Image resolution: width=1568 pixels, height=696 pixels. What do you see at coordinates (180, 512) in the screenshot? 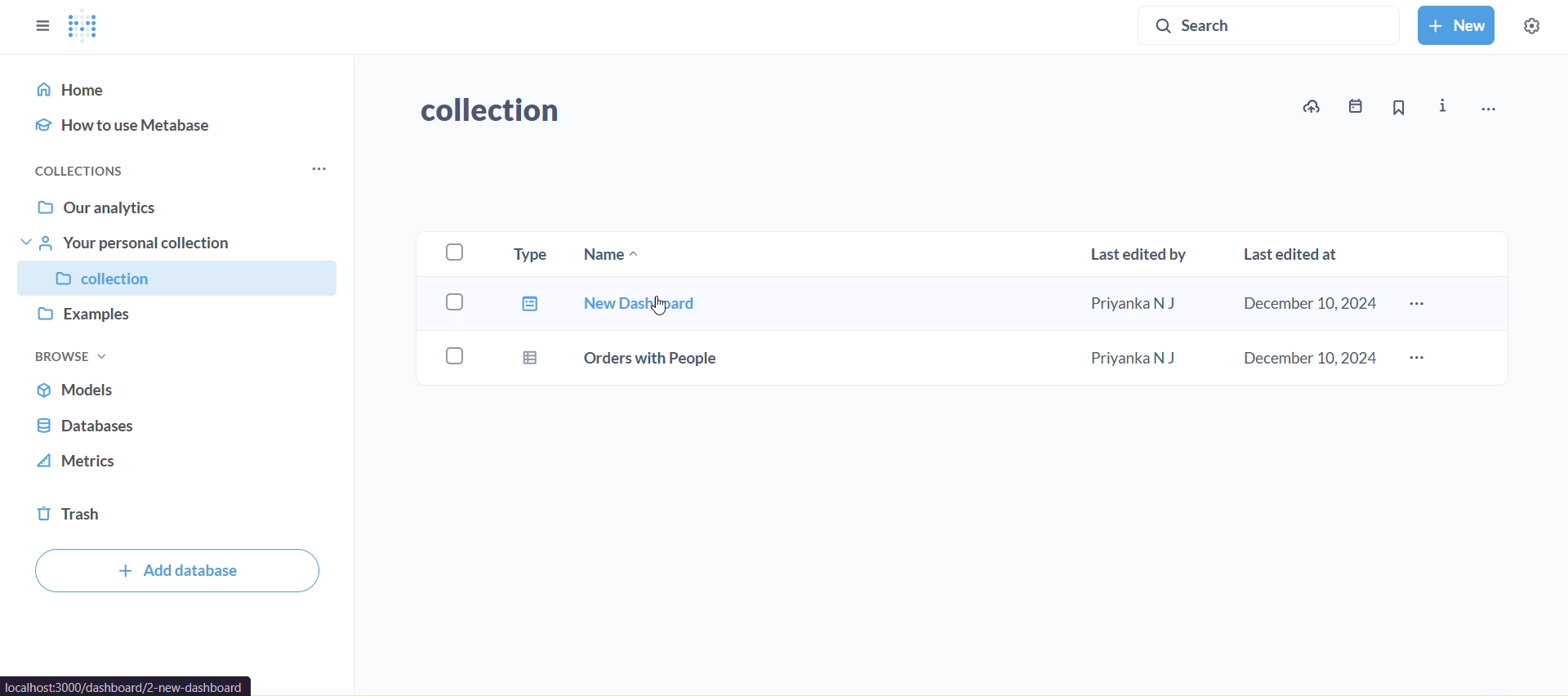
I see `trash` at bounding box center [180, 512].